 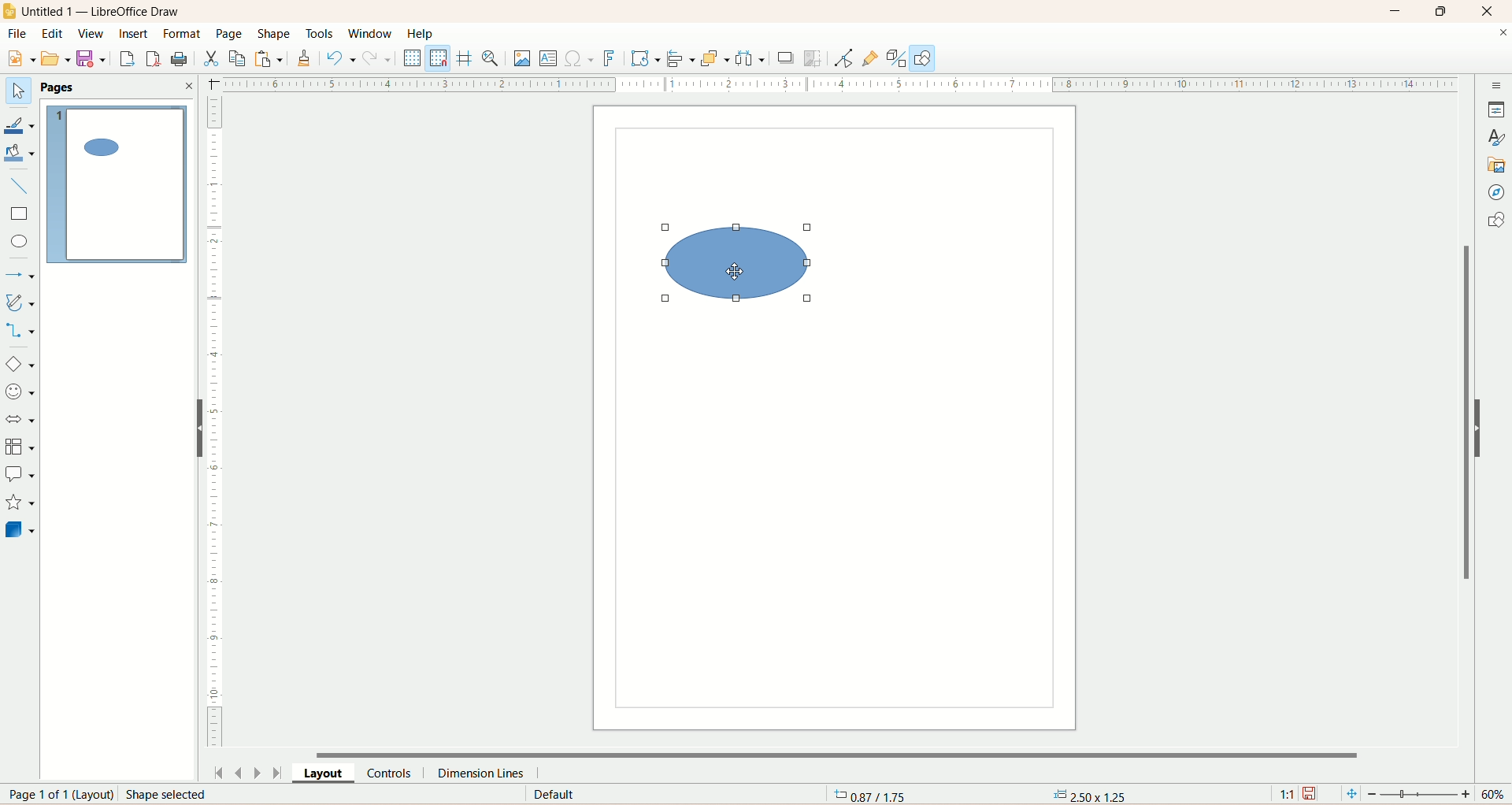 I want to click on anchor point, so click(x=1089, y=796).